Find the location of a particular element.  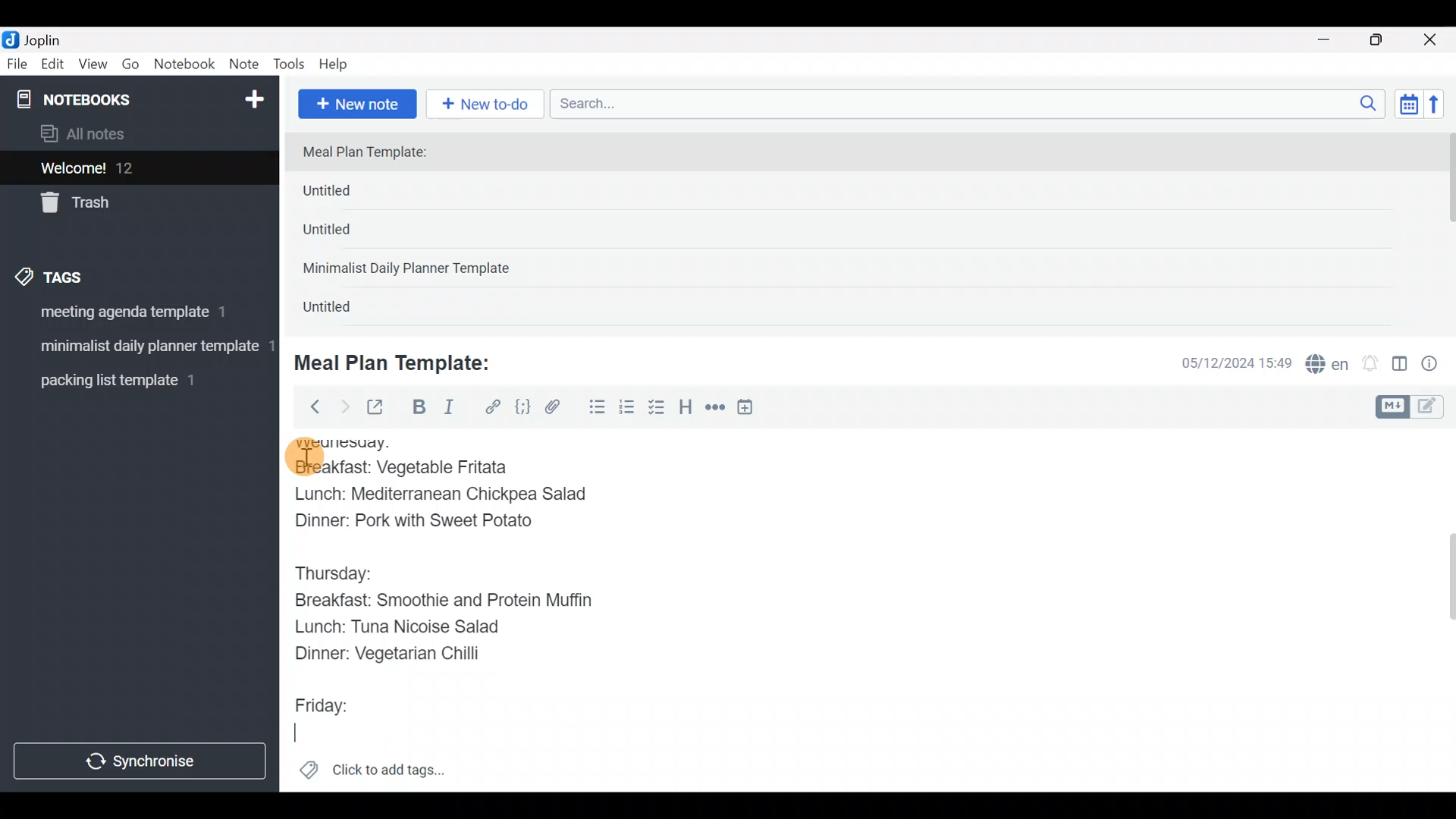

Tag 3 is located at coordinates (134, 380).